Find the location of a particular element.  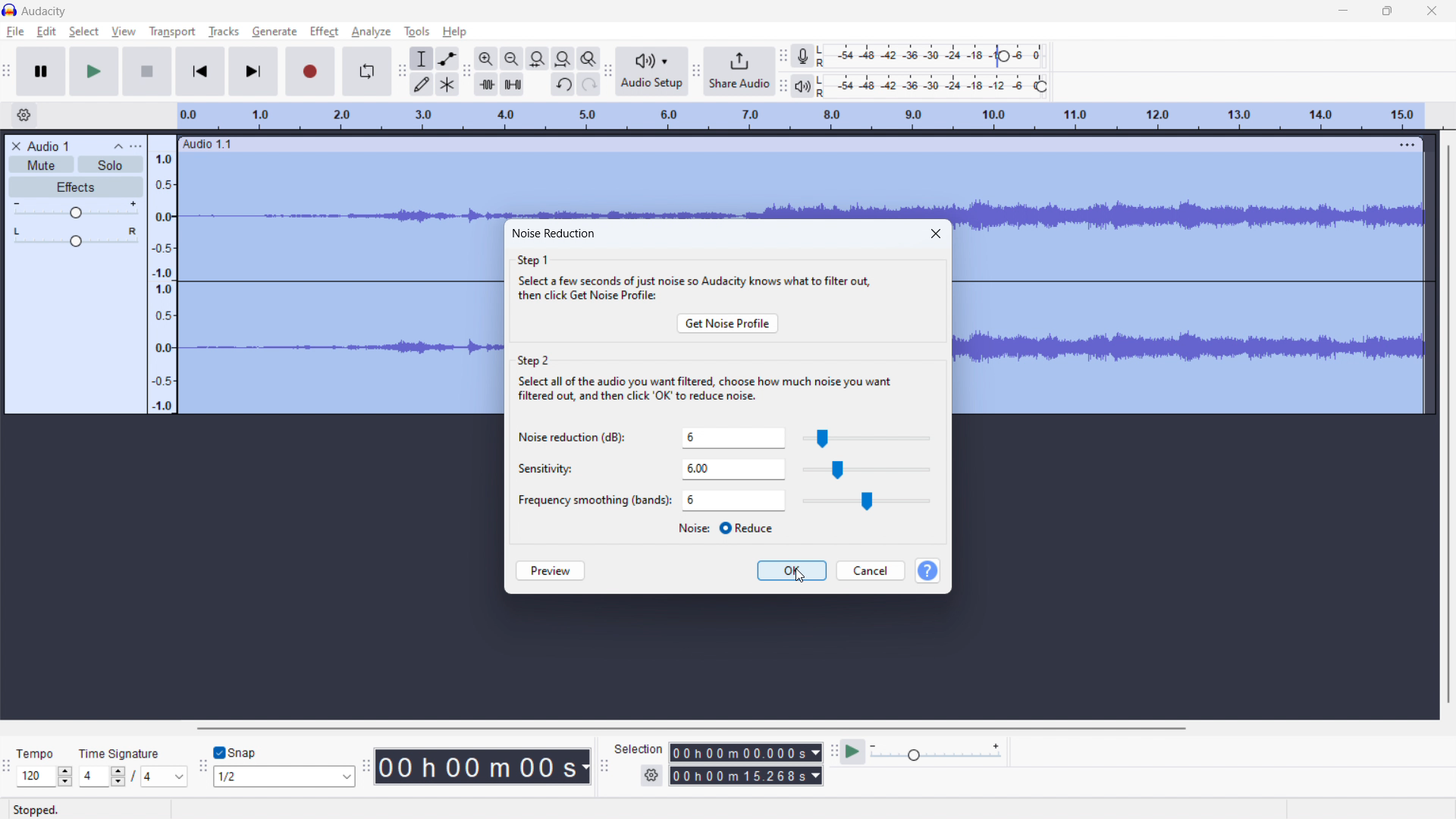

generate is located at coordinates (275, 32).